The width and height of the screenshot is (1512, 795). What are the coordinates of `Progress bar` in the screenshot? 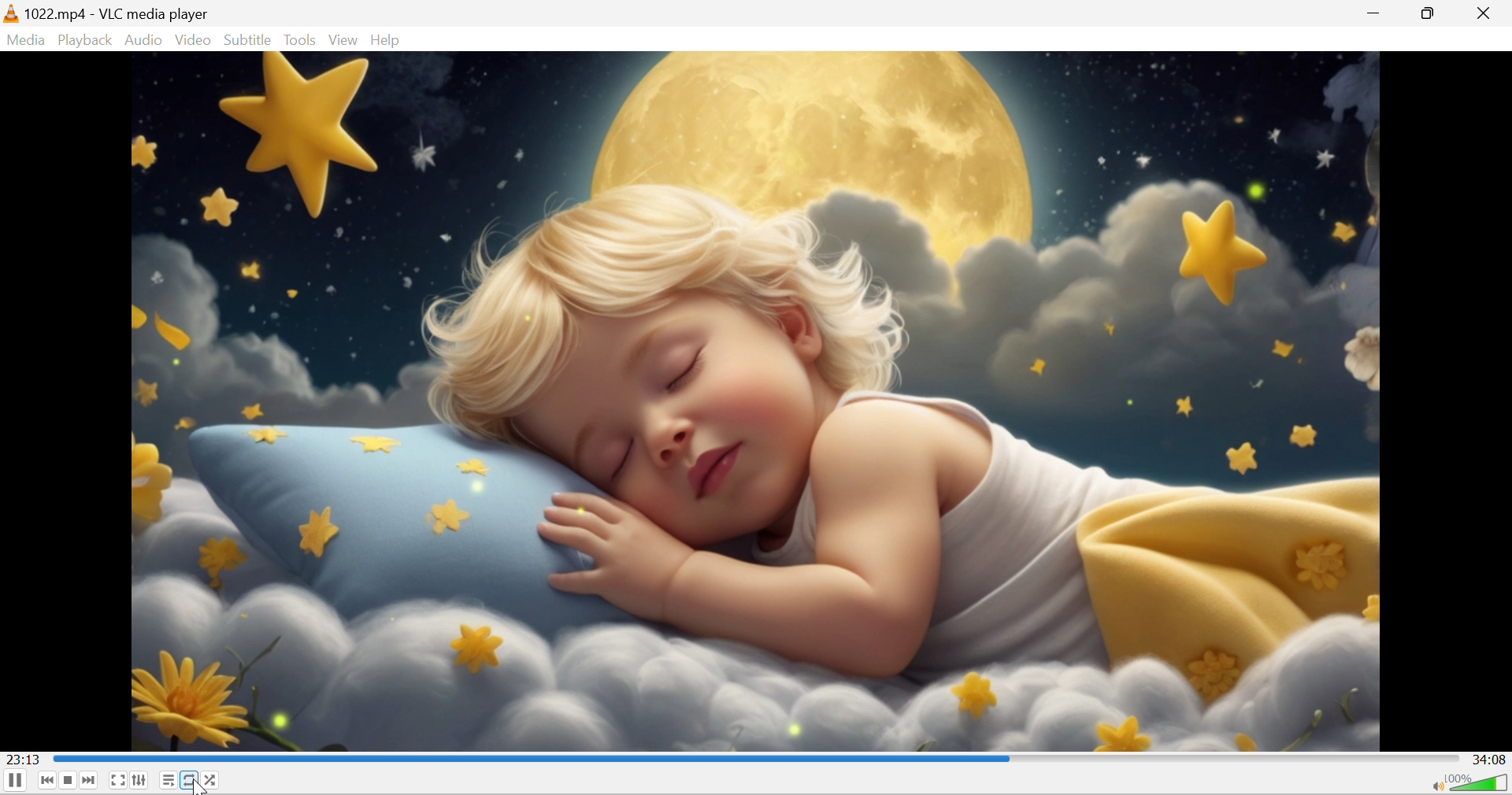 It's located at (756, 756).